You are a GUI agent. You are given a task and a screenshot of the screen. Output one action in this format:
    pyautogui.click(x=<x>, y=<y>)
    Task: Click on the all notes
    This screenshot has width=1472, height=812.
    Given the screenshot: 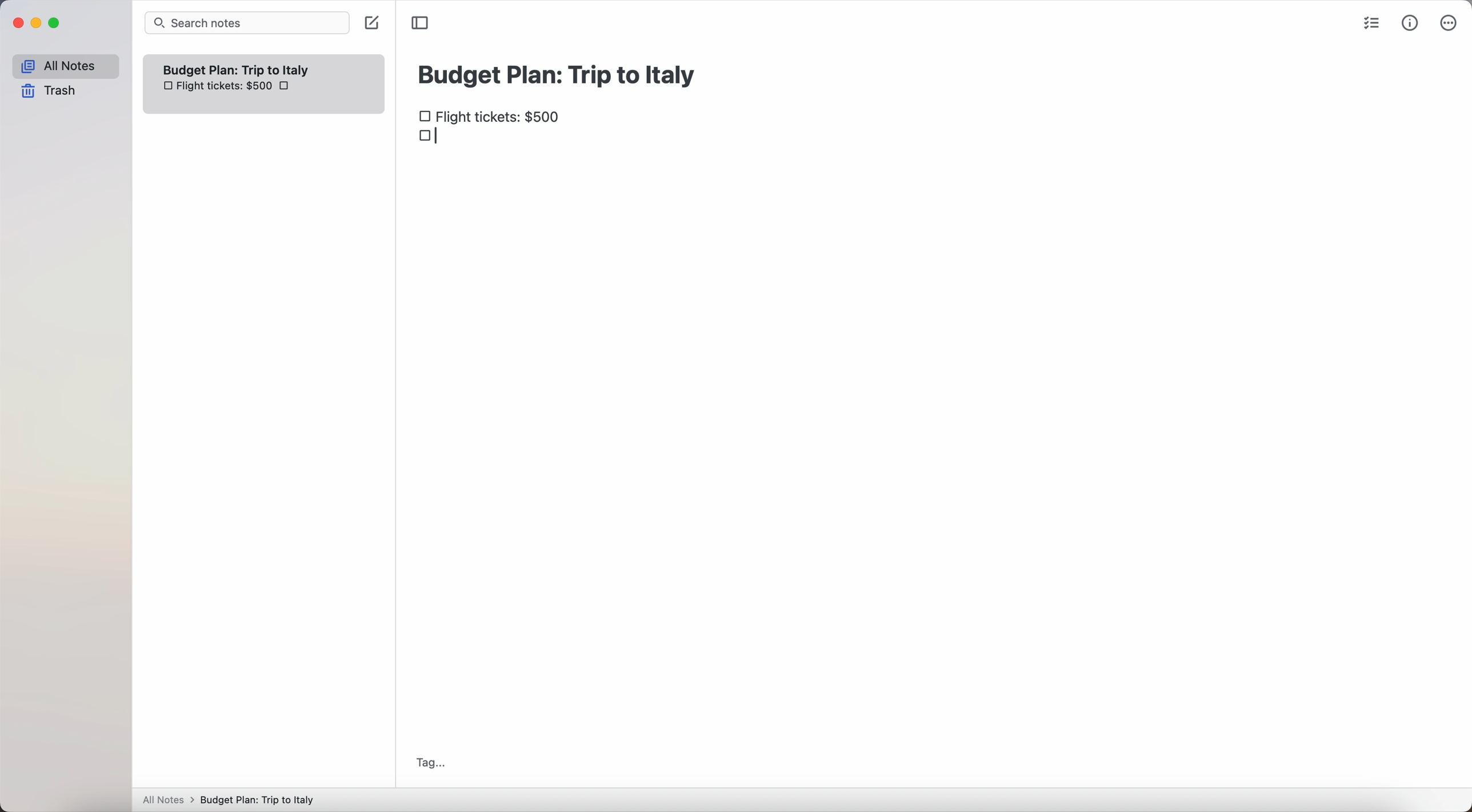 What is the action you would take?
    pyautogui.click(x=65, y=66)
    